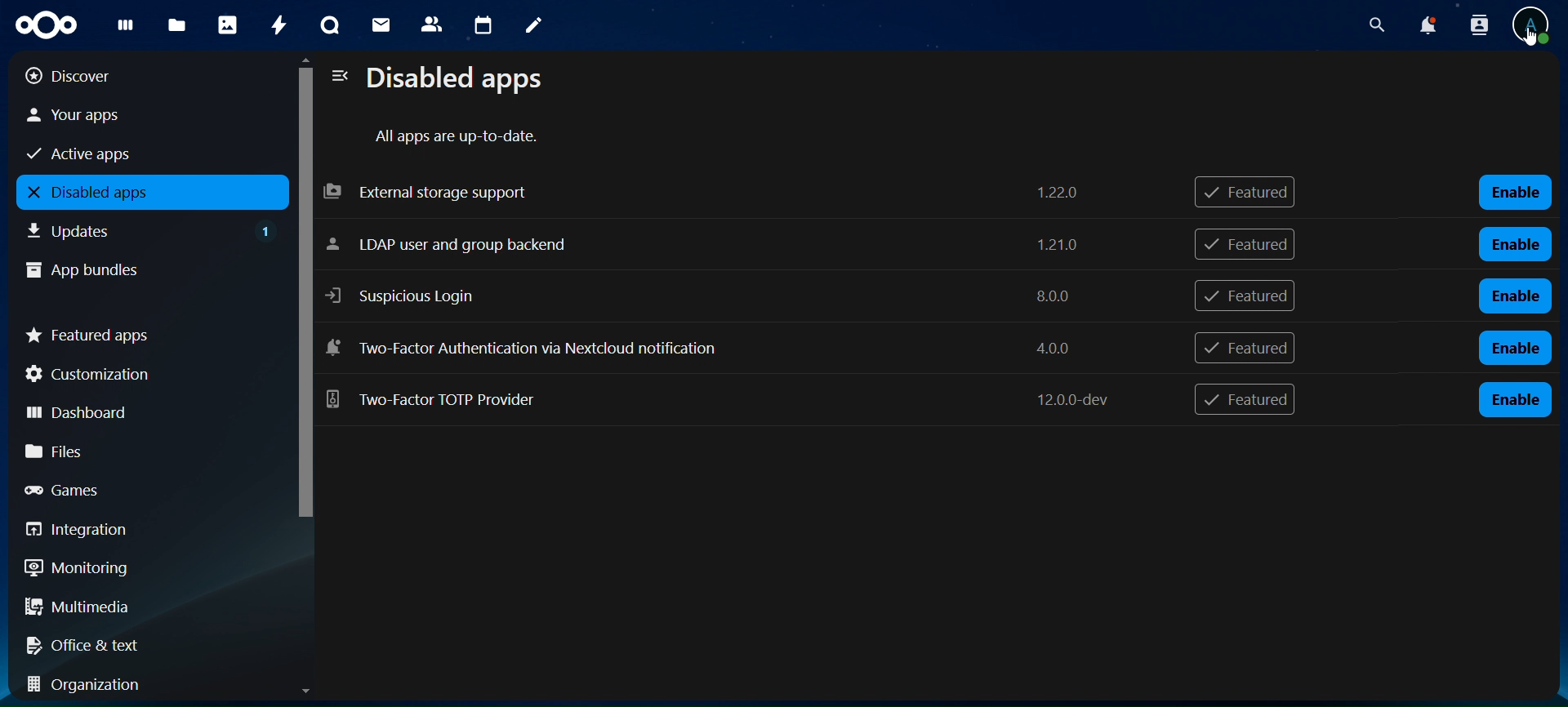  I want to click on office & text, so click(138, 642).